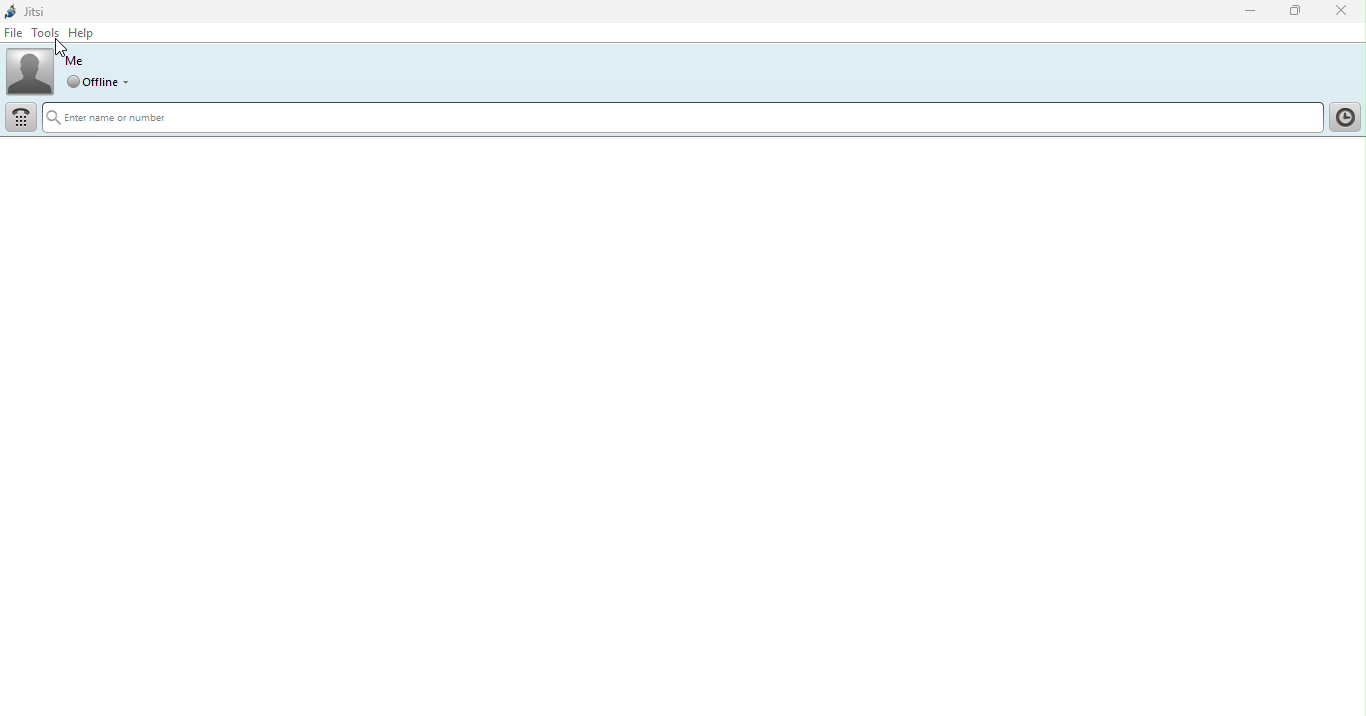  I want to click on Enter name or number, so click(677, 120).